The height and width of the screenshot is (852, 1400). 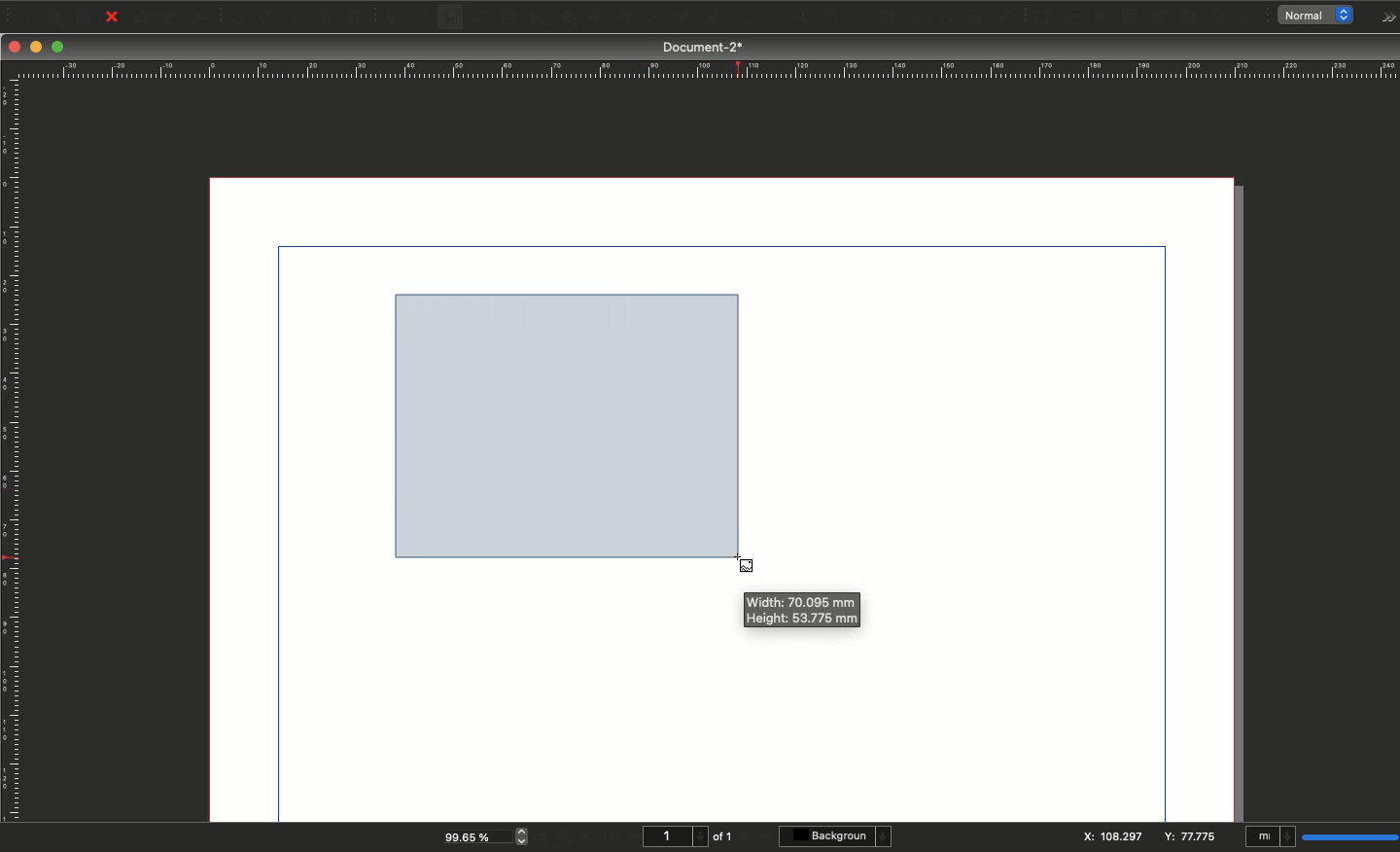 I want to click on Spiral, so click(x=628, y=19).